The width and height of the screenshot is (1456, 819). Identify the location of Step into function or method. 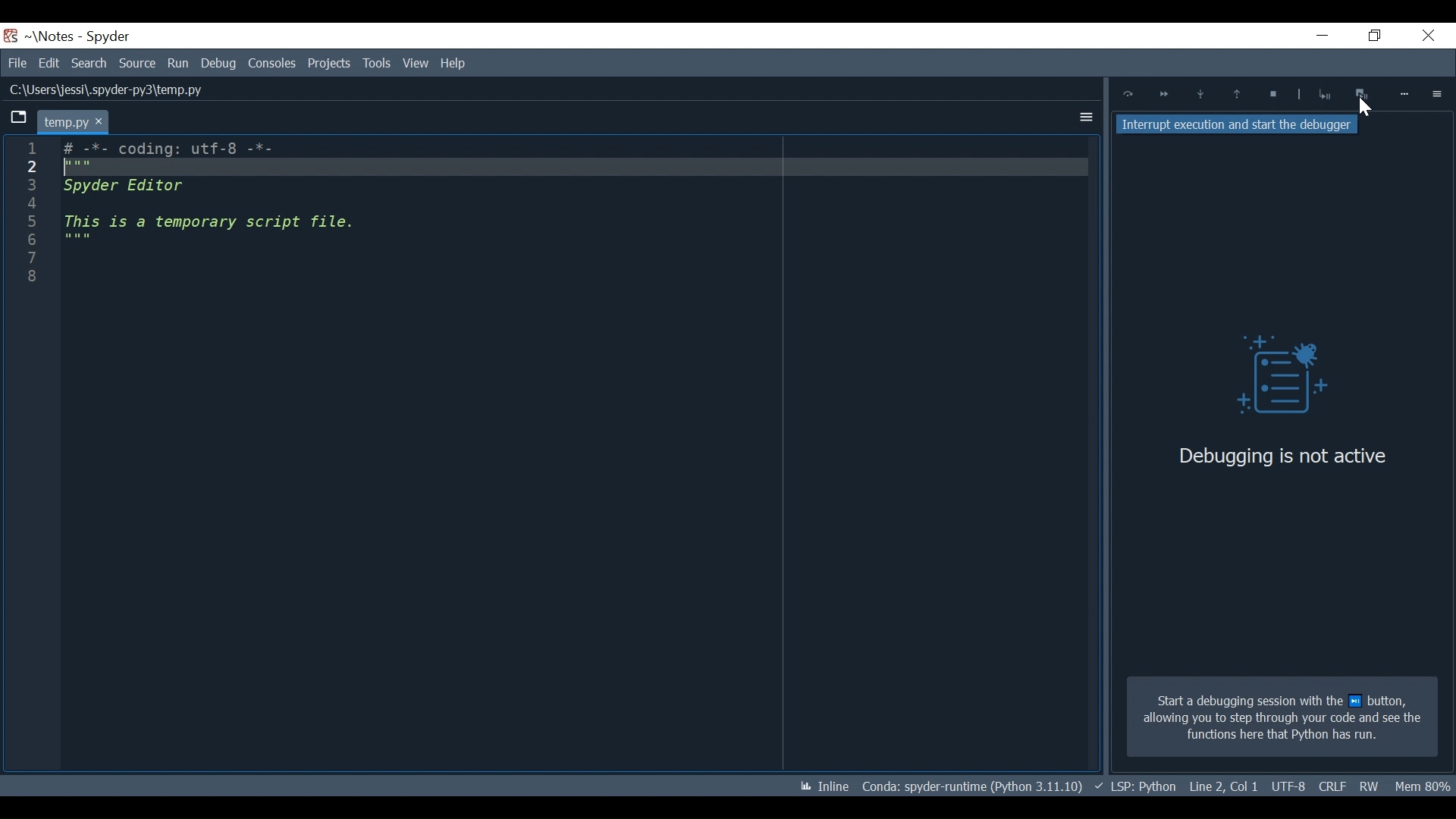
(1200, 96).